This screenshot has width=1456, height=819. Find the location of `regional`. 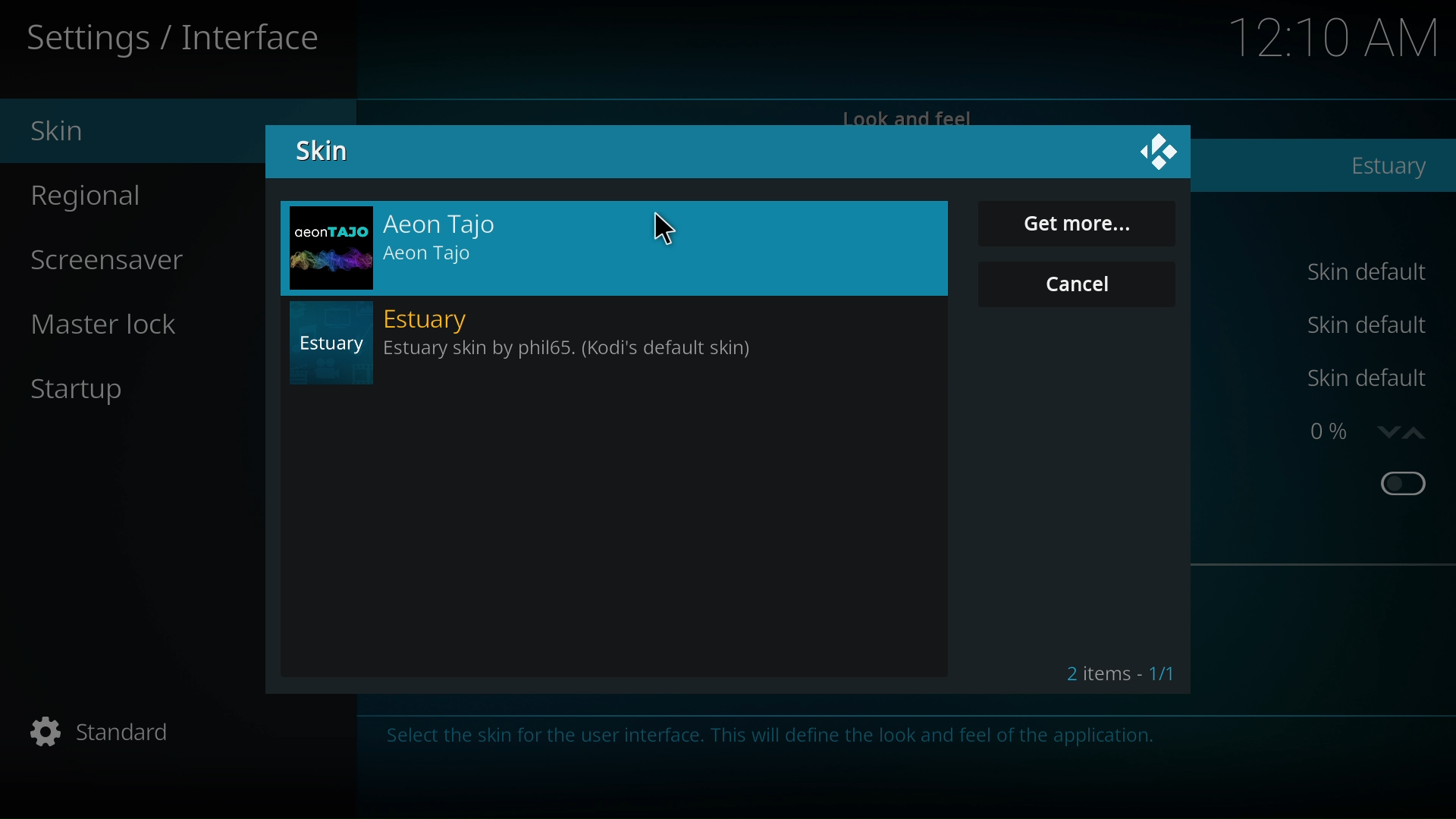

regional is located at coordinates (97, 201).